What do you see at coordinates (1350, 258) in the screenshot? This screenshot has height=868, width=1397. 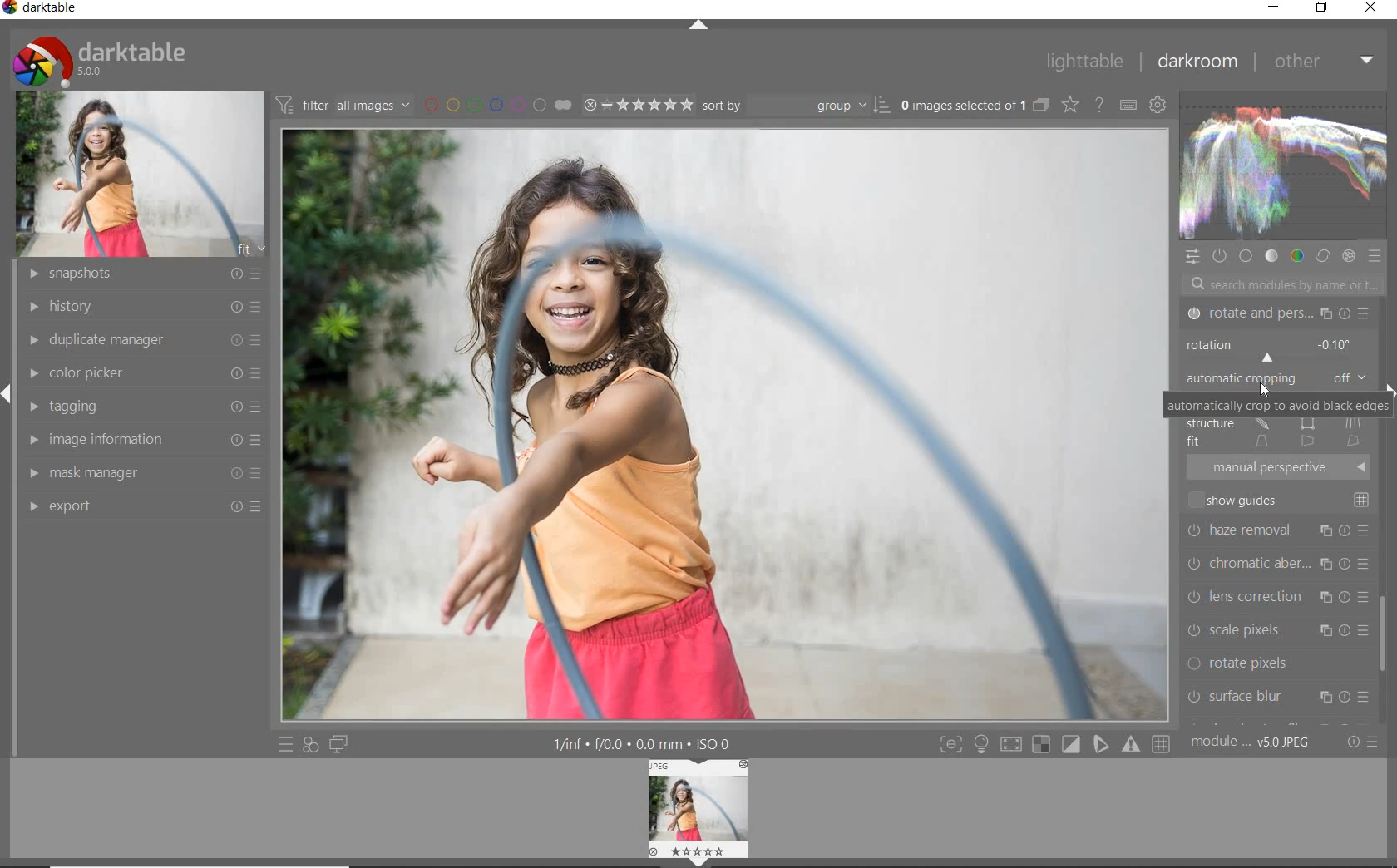 I see `effect` at bounding box center [1350, 258].